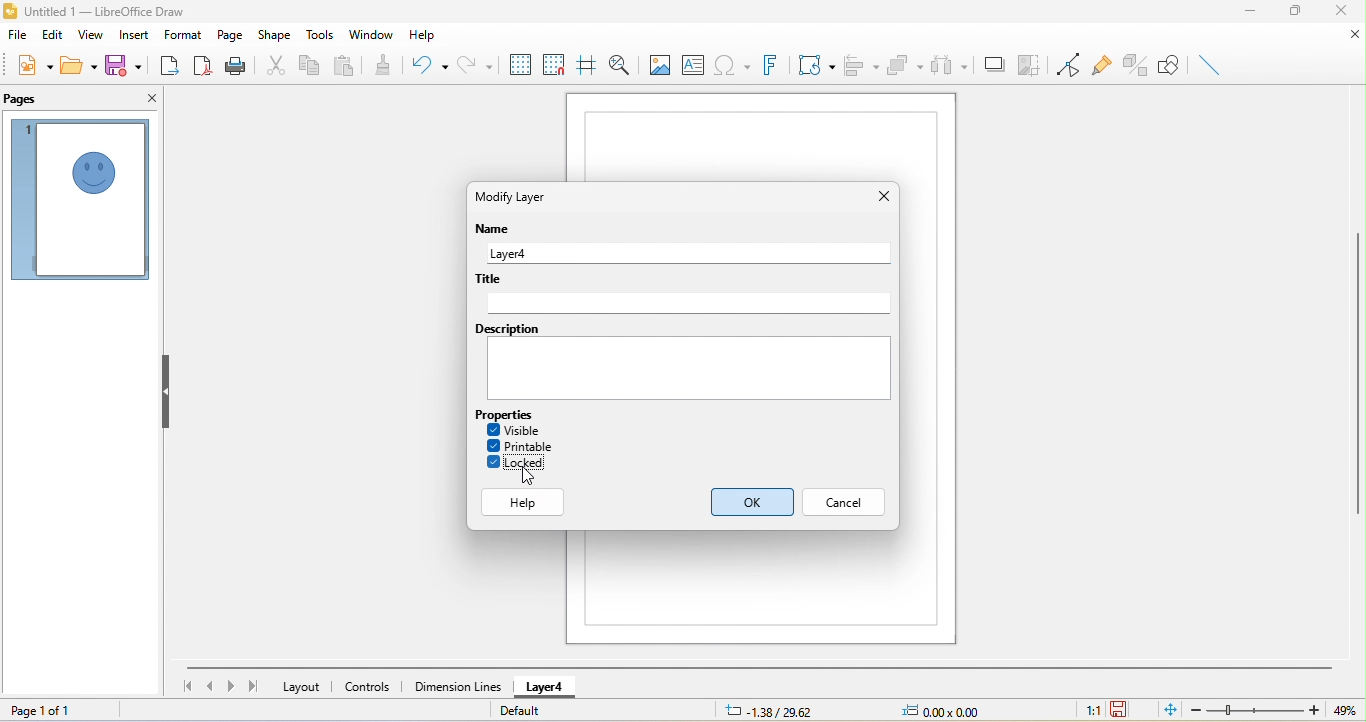 The width and height of the screenshot is (1366, 722). Describe the element at coordinates (524, 196) in the screenshot. I see `modify layer` at that location.